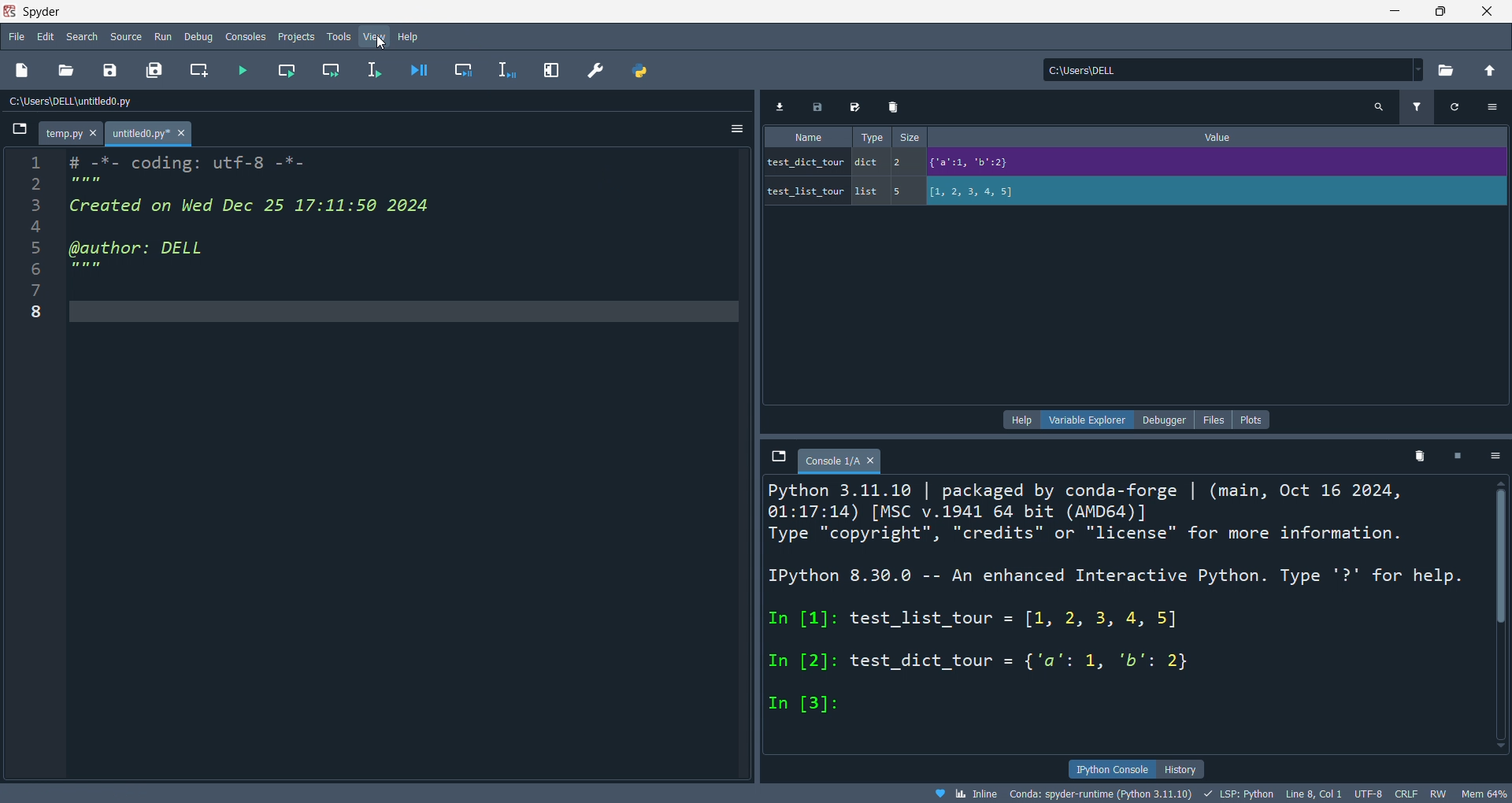 This screenshot has height=803, width=1512. Describe the element at coordinates (285, 72) in the screenshot. I see `run cell` at that location.